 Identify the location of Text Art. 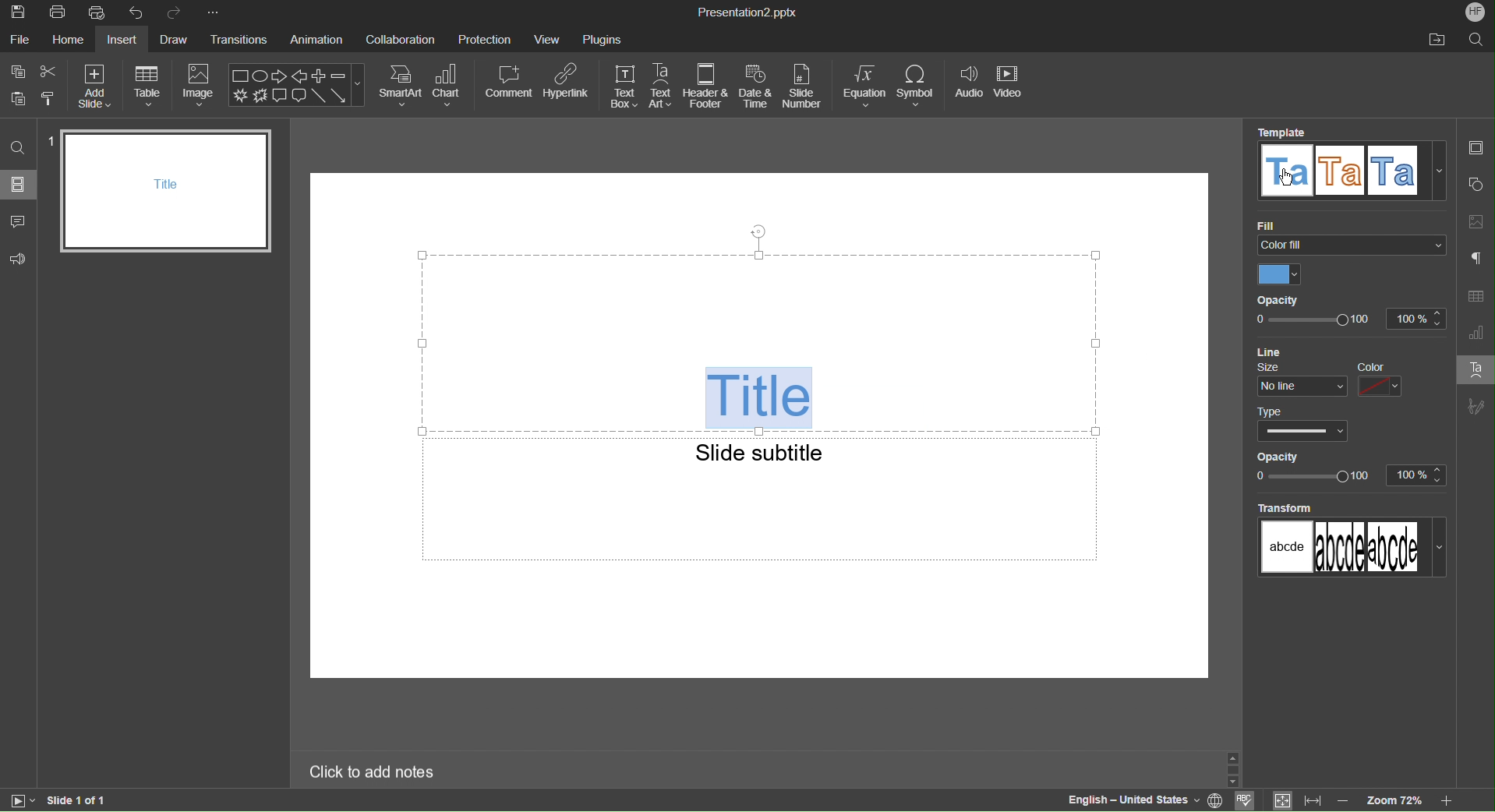
(1475, 369).